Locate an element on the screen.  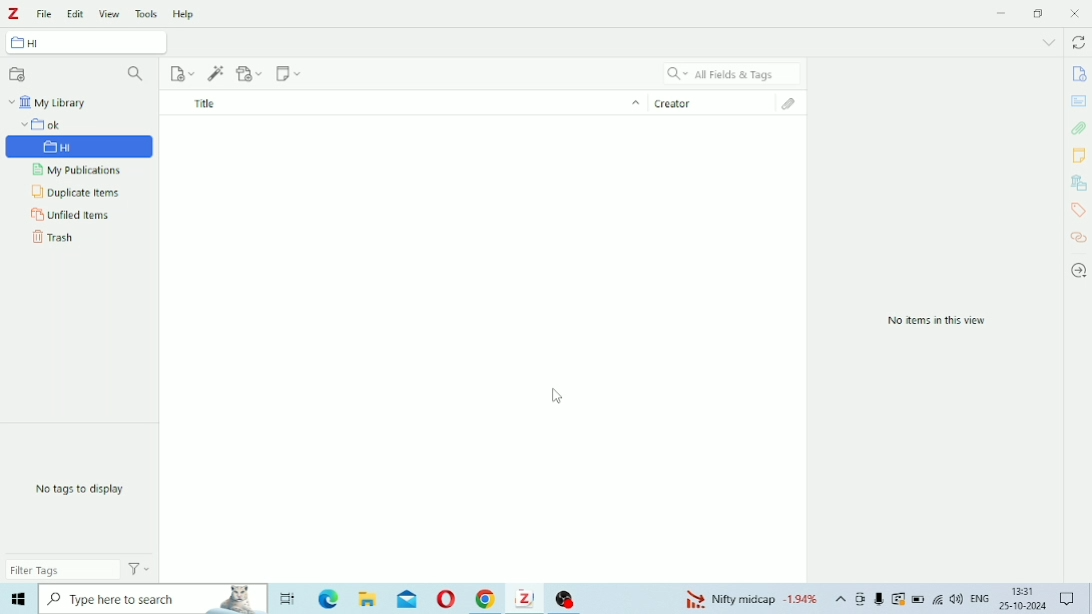
Help is located at coordinates (184, 13).